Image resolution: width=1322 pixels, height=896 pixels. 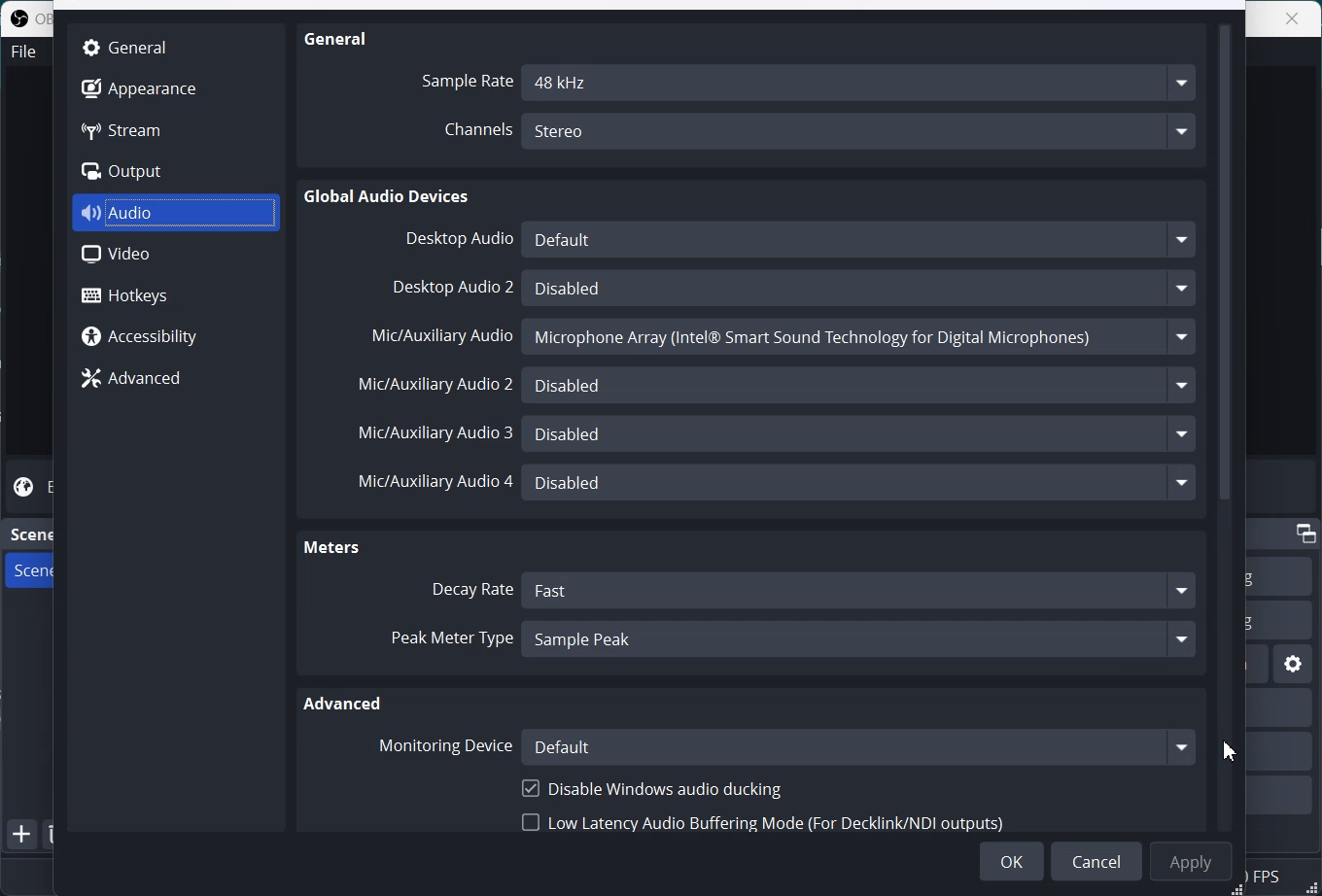 I want to click on Desktop Audio 2 , so click(x=454, y=288).